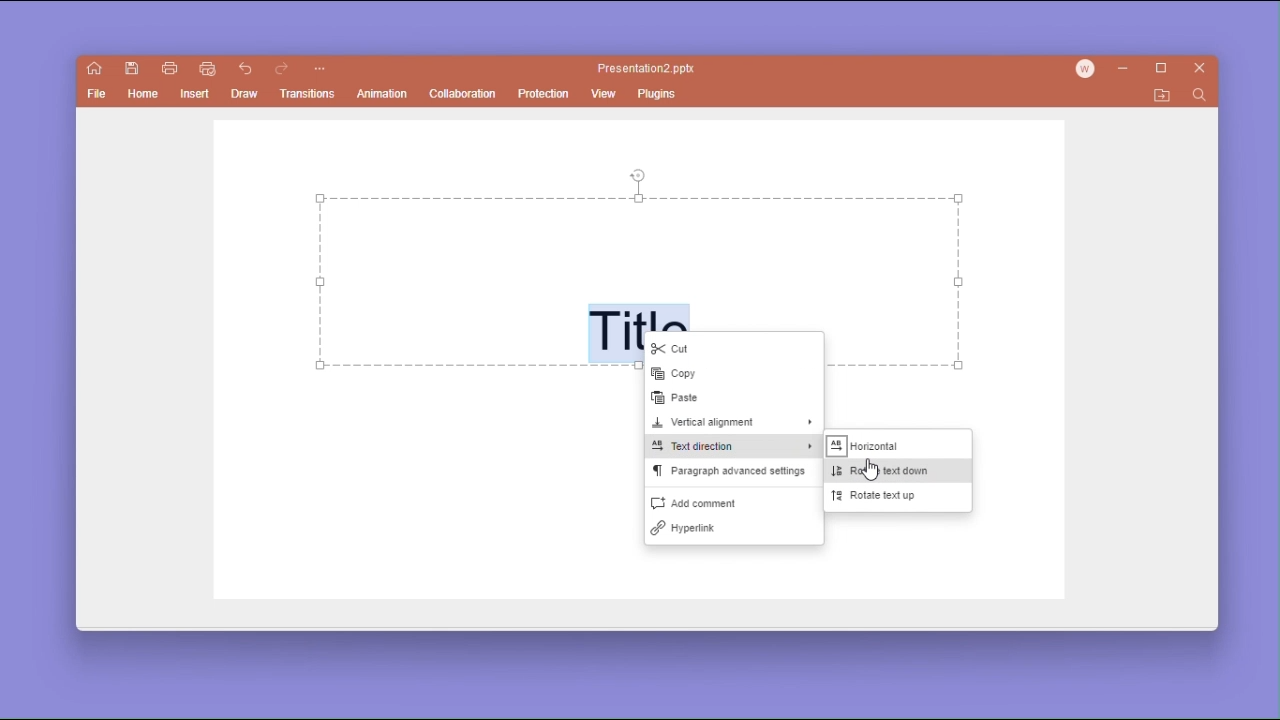  What do you see at coordinates (311, 94) in the screenshot?
I see `transitions` at bounding box center [311, 94].